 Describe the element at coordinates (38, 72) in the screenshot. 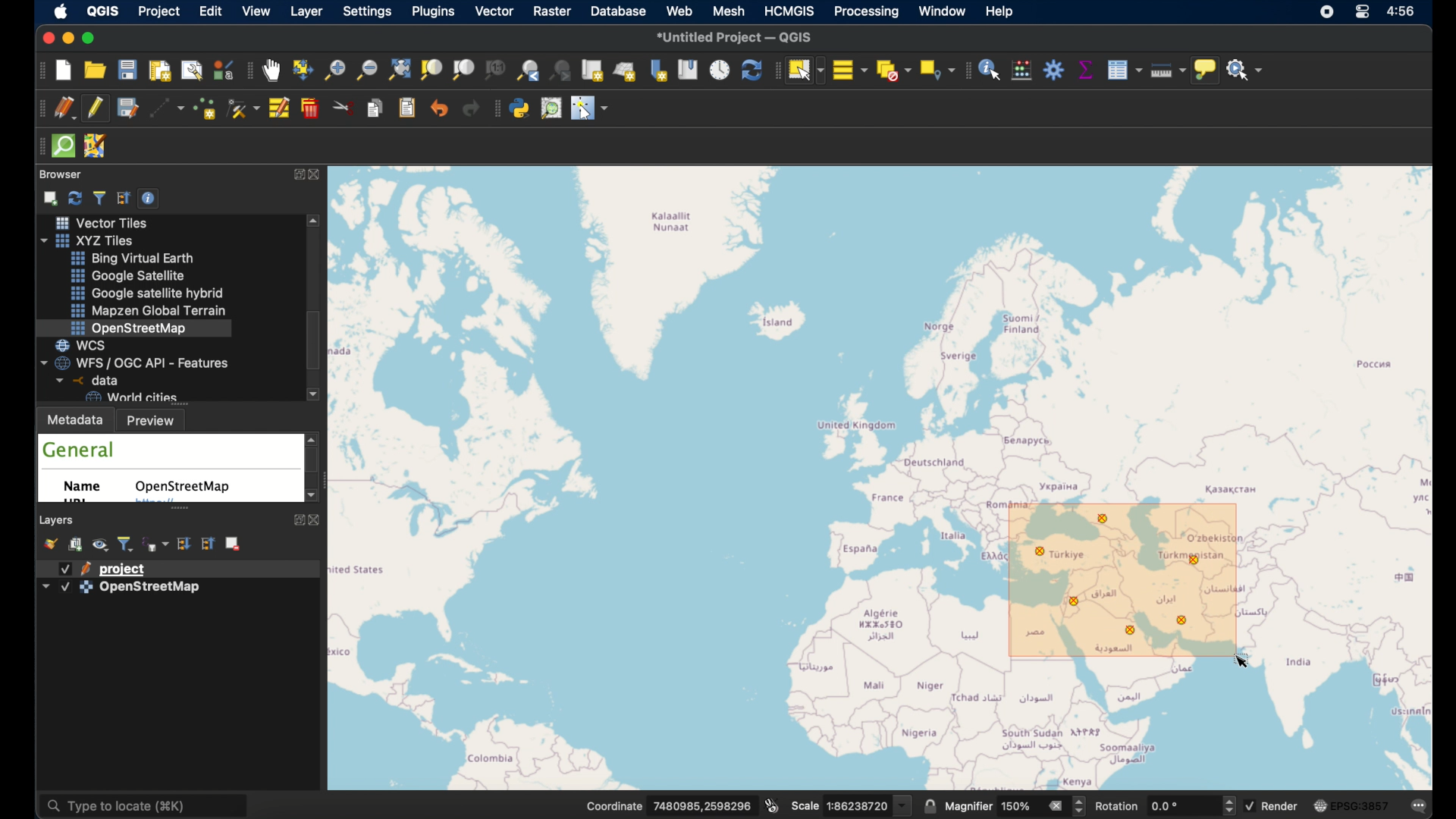

I see `project toolbar` at that location.